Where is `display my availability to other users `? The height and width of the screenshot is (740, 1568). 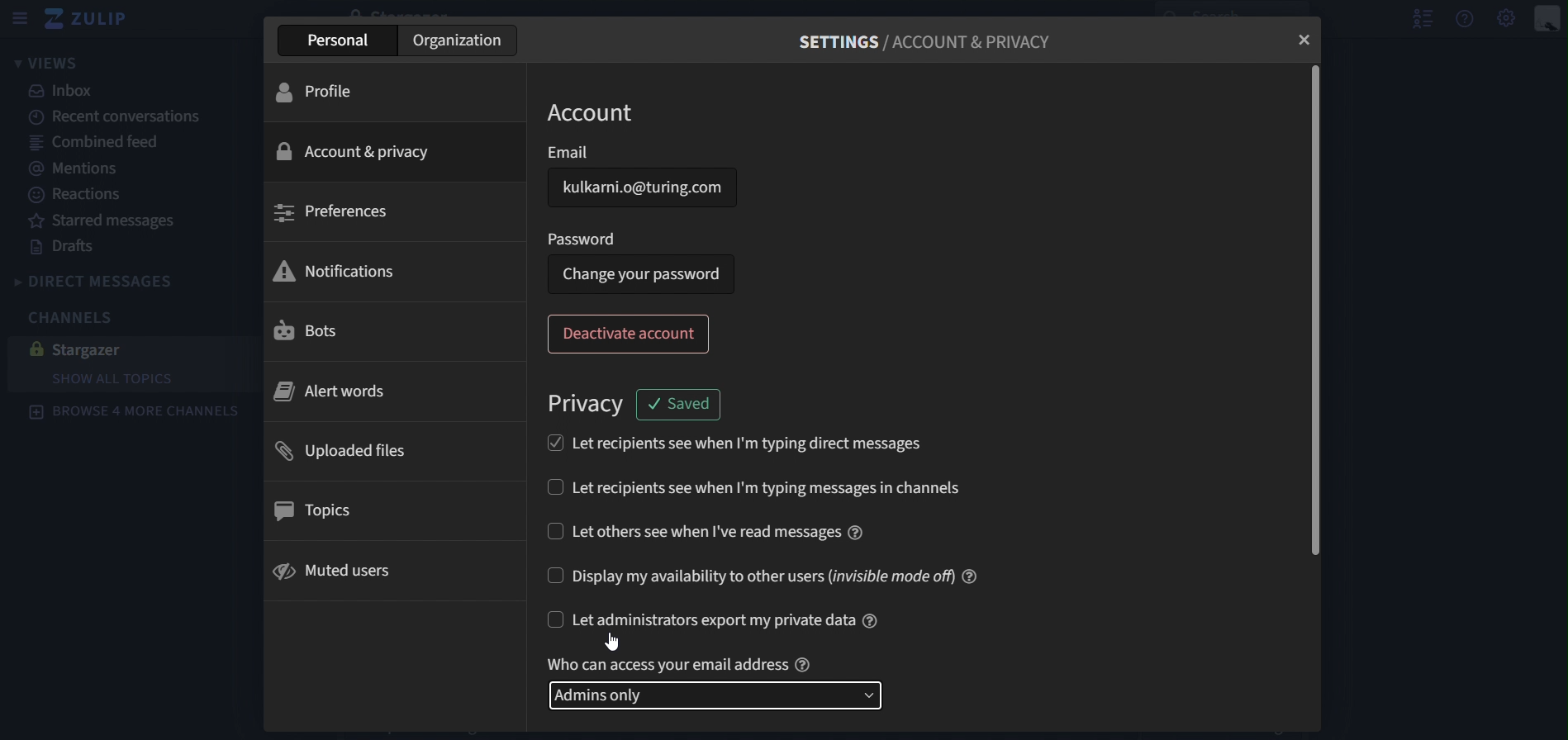
display my availability to other users  is located at coordinates (768, 574).